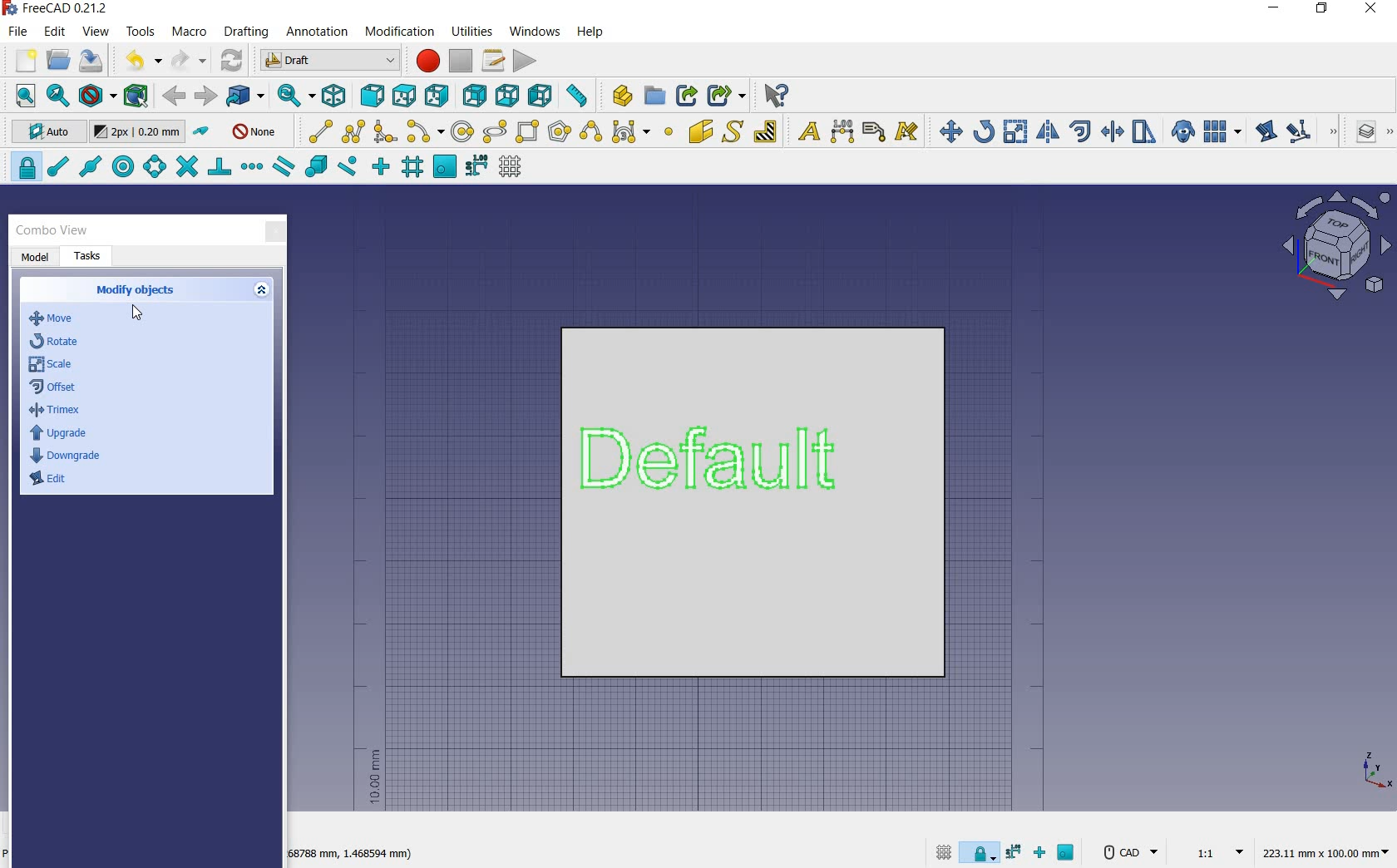 The height and width of the screenshot is (868, 1397). I want to click on snap perpendicullar, so click(219, 166).